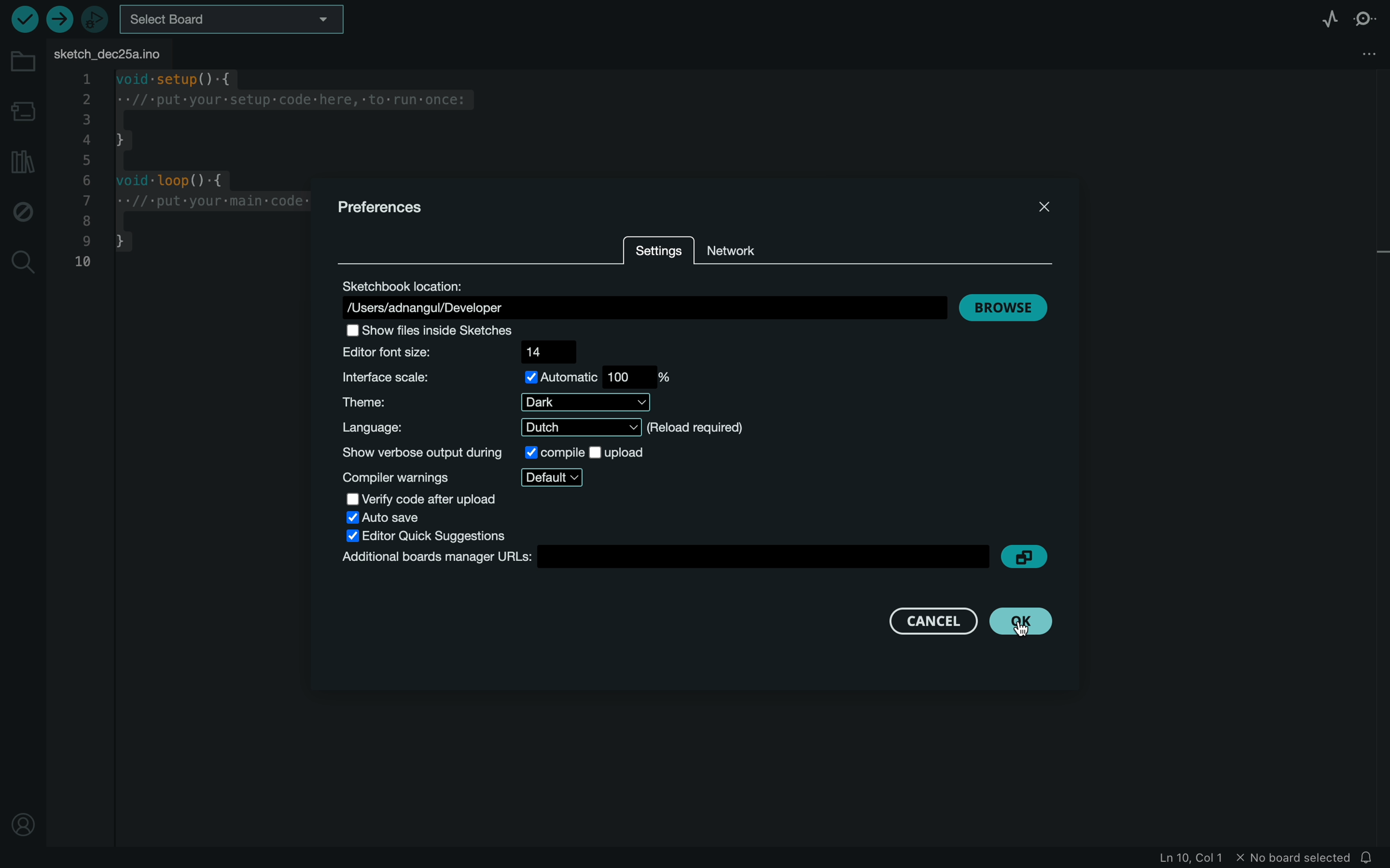 This screenshot has height=868, width=1390. Describe the element at coordinates (23, 62) in the screenshot. I see `folder` at that location.